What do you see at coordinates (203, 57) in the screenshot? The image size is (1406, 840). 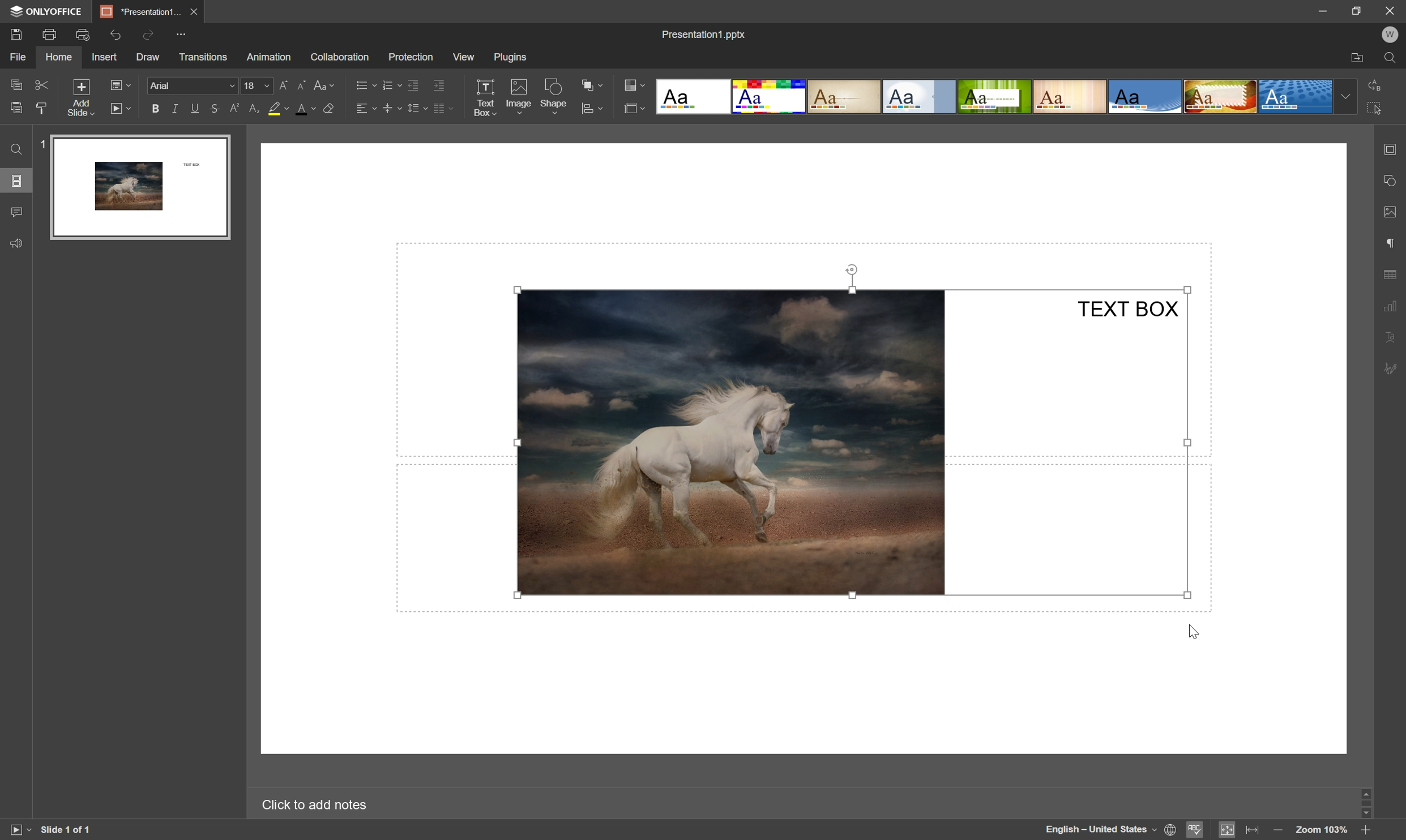 I see `transitions` at bounding box center [203, 57].